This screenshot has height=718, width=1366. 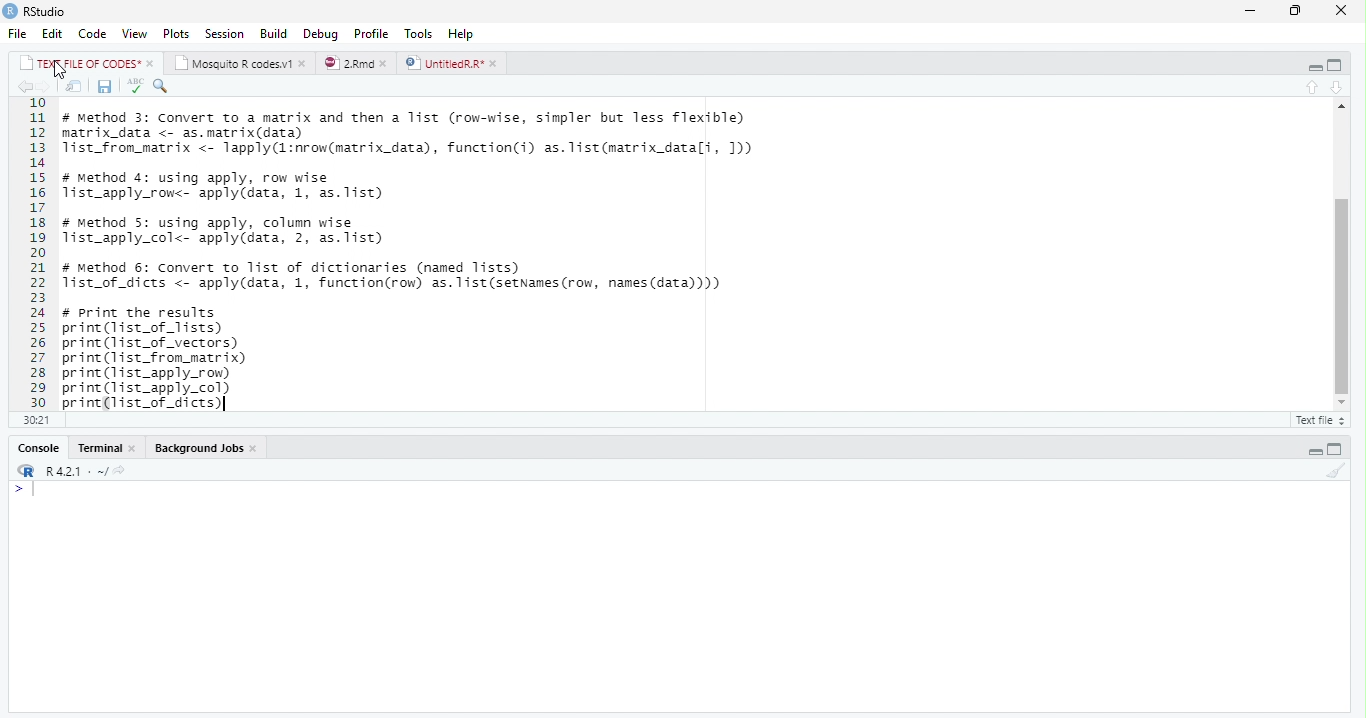 I want to click on Tools, so click(x=421, y=33).